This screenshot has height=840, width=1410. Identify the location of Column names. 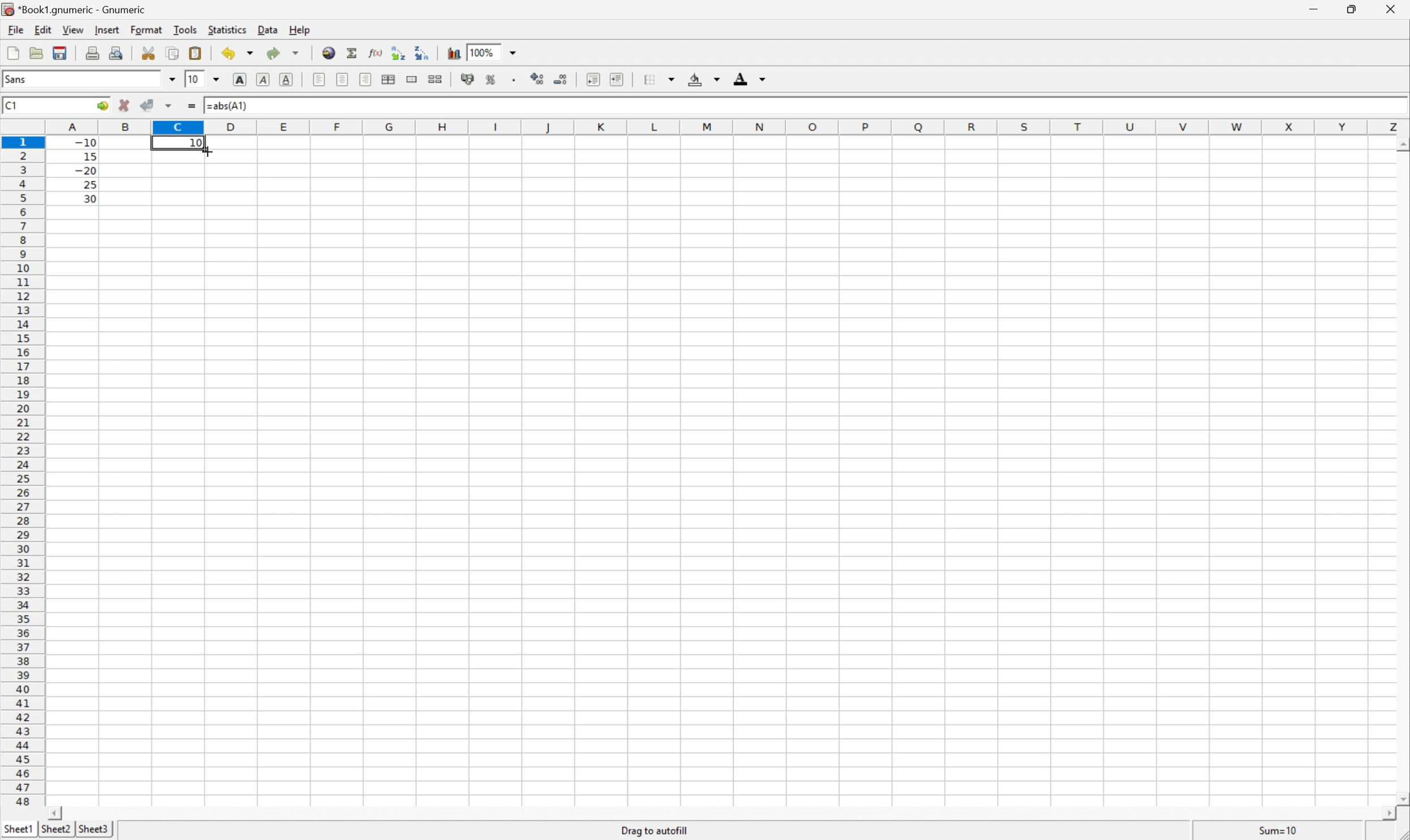
(728, 126).